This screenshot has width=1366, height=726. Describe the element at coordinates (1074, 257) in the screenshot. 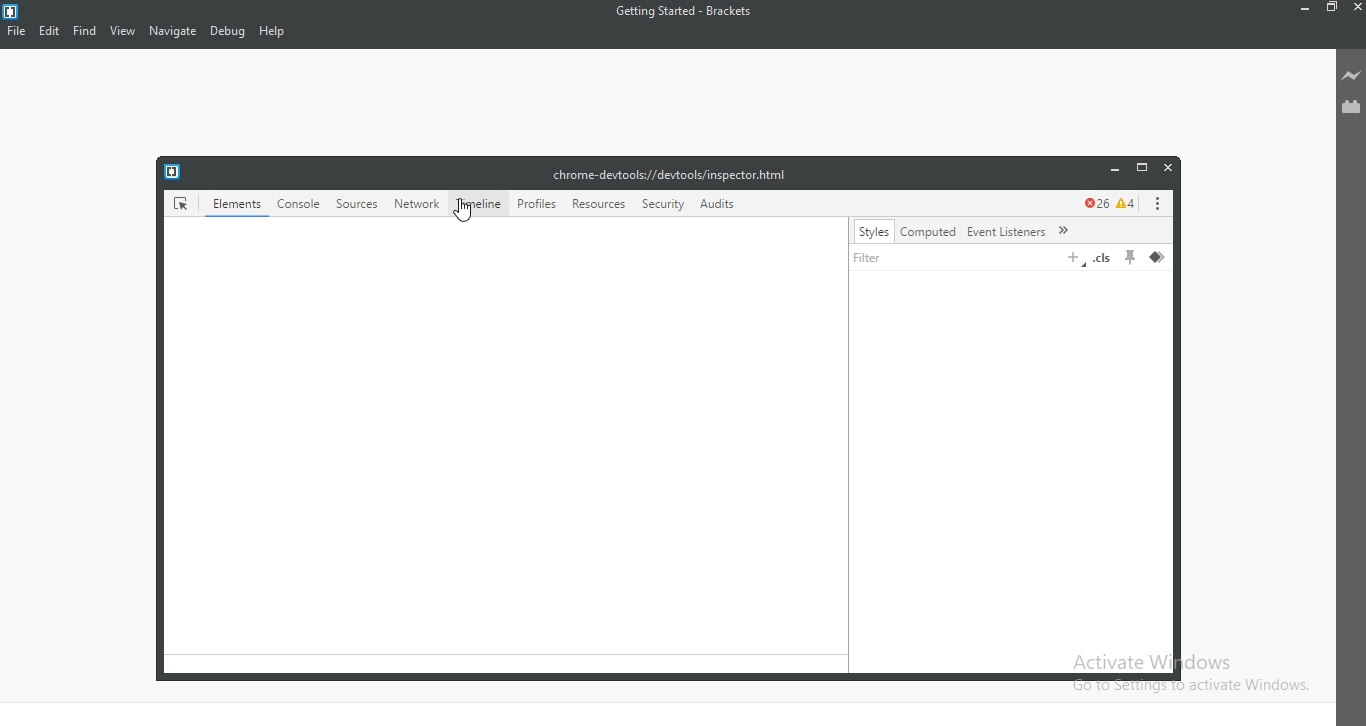

I see `add` at that location.